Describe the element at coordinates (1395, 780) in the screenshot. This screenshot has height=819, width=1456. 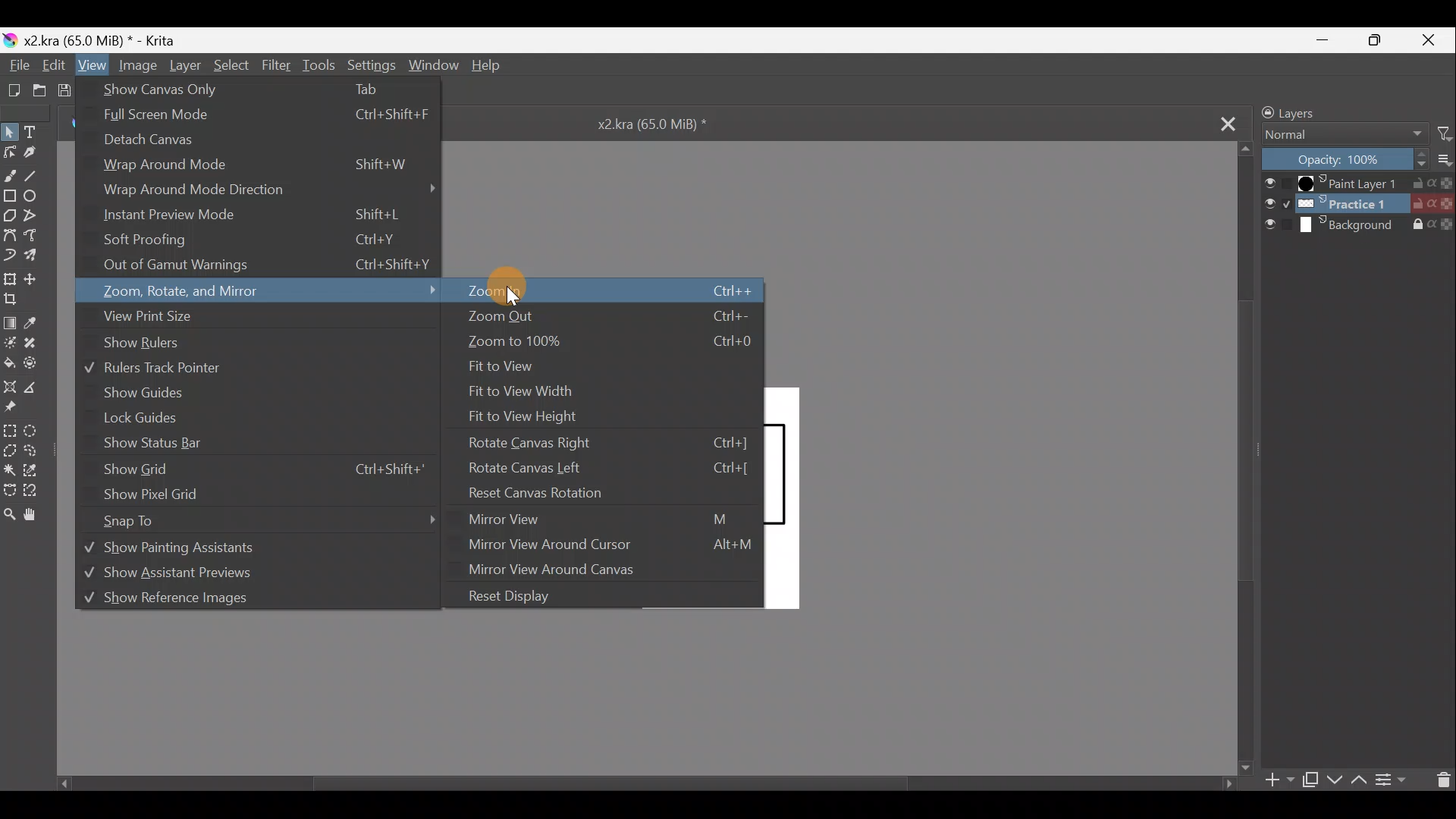
I see `View /change layer properties` at that location.